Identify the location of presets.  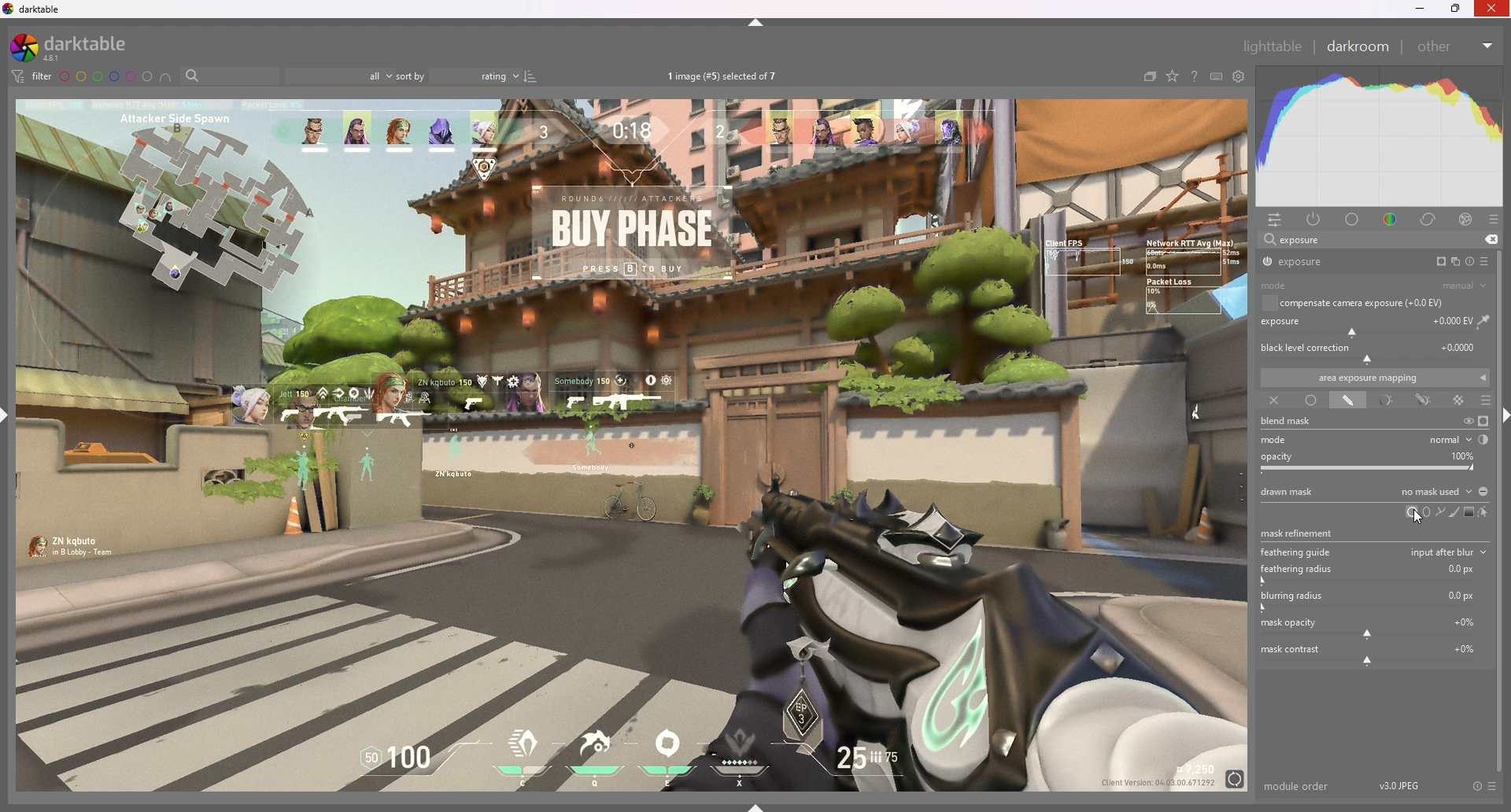
(1494, 787).